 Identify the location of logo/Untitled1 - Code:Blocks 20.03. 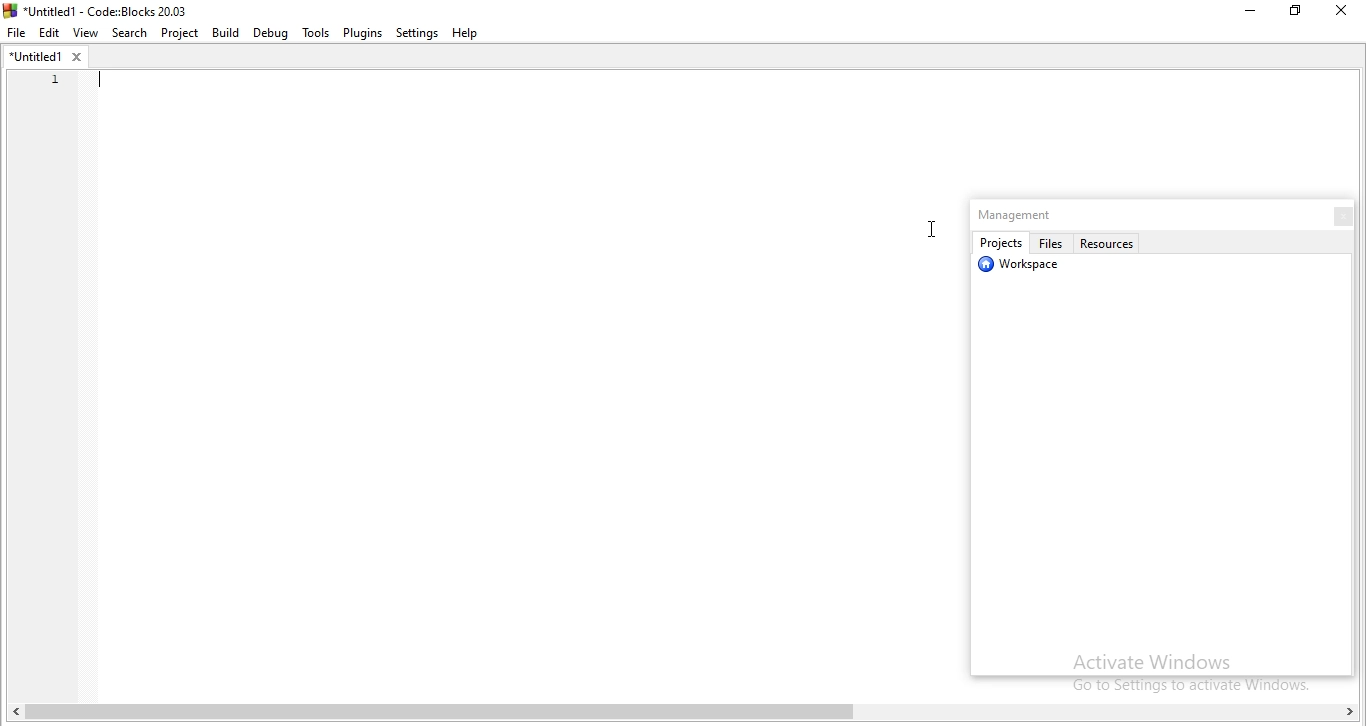
(100, 9).